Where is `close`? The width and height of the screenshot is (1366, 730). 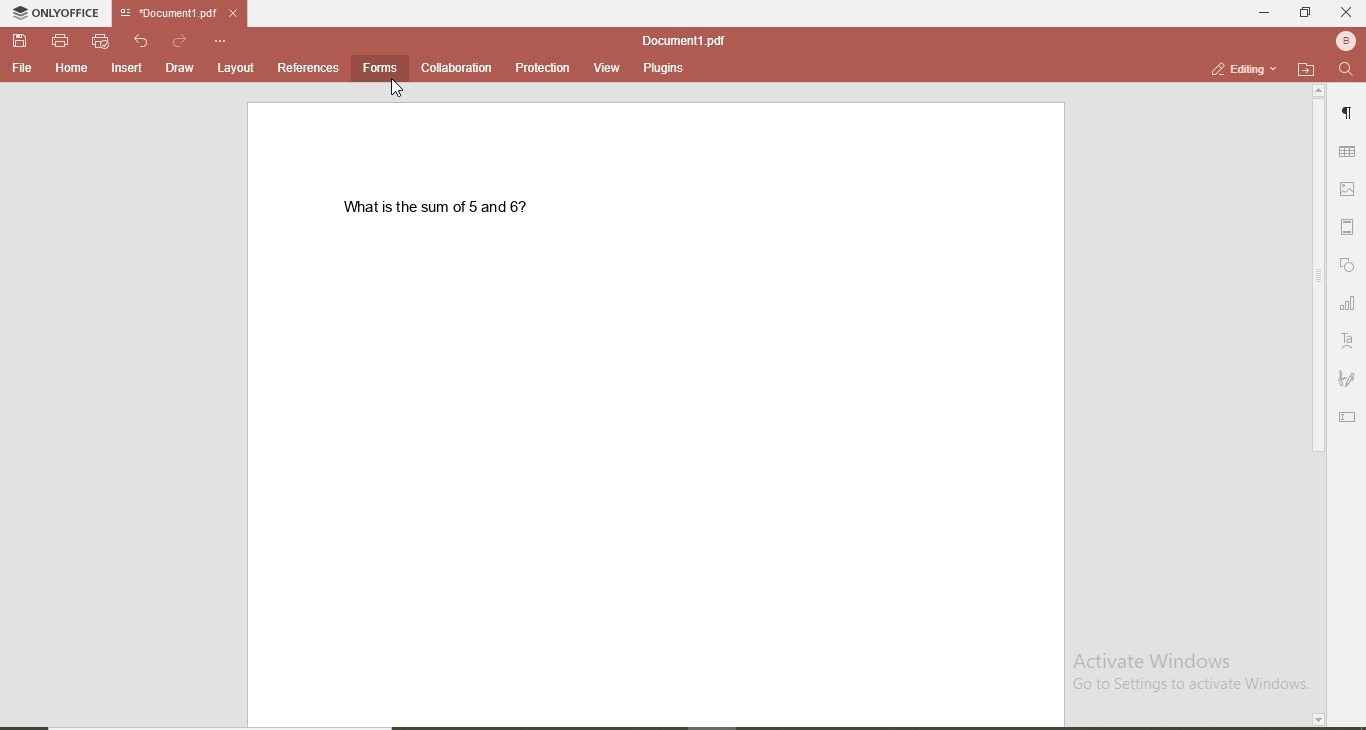
close is located at coordinates (1347, 11).